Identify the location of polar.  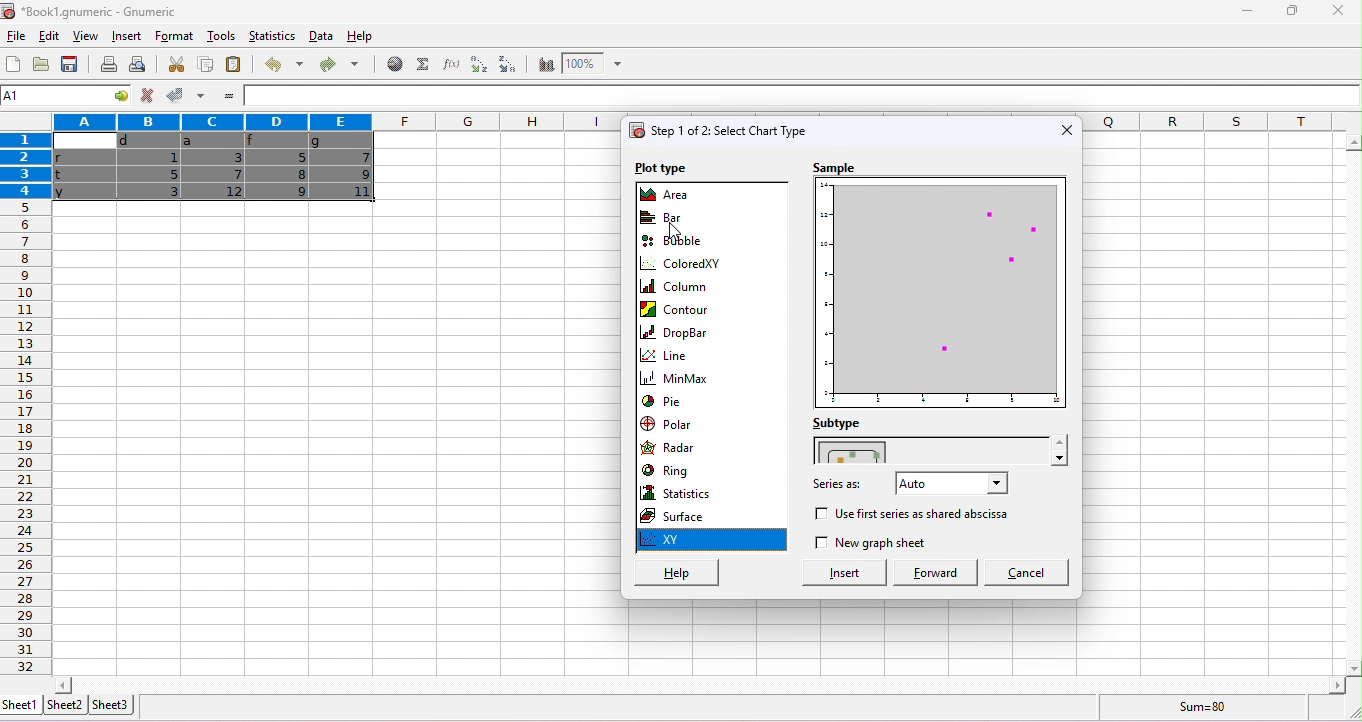
(677, 425).